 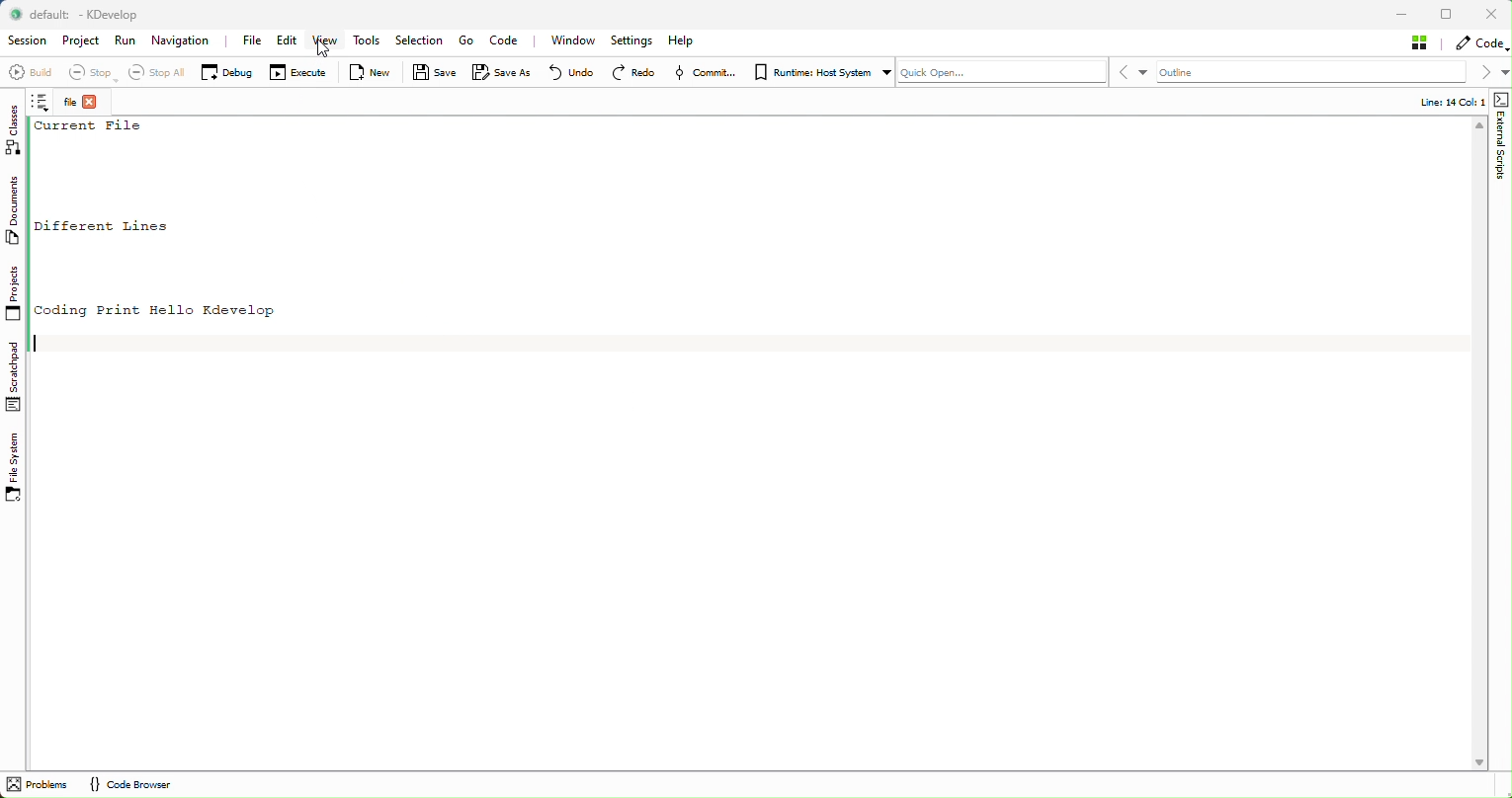 What do you see at coordinates (17, 468) in the screenshot?
I see `File System` at bounding box center [17, 468].